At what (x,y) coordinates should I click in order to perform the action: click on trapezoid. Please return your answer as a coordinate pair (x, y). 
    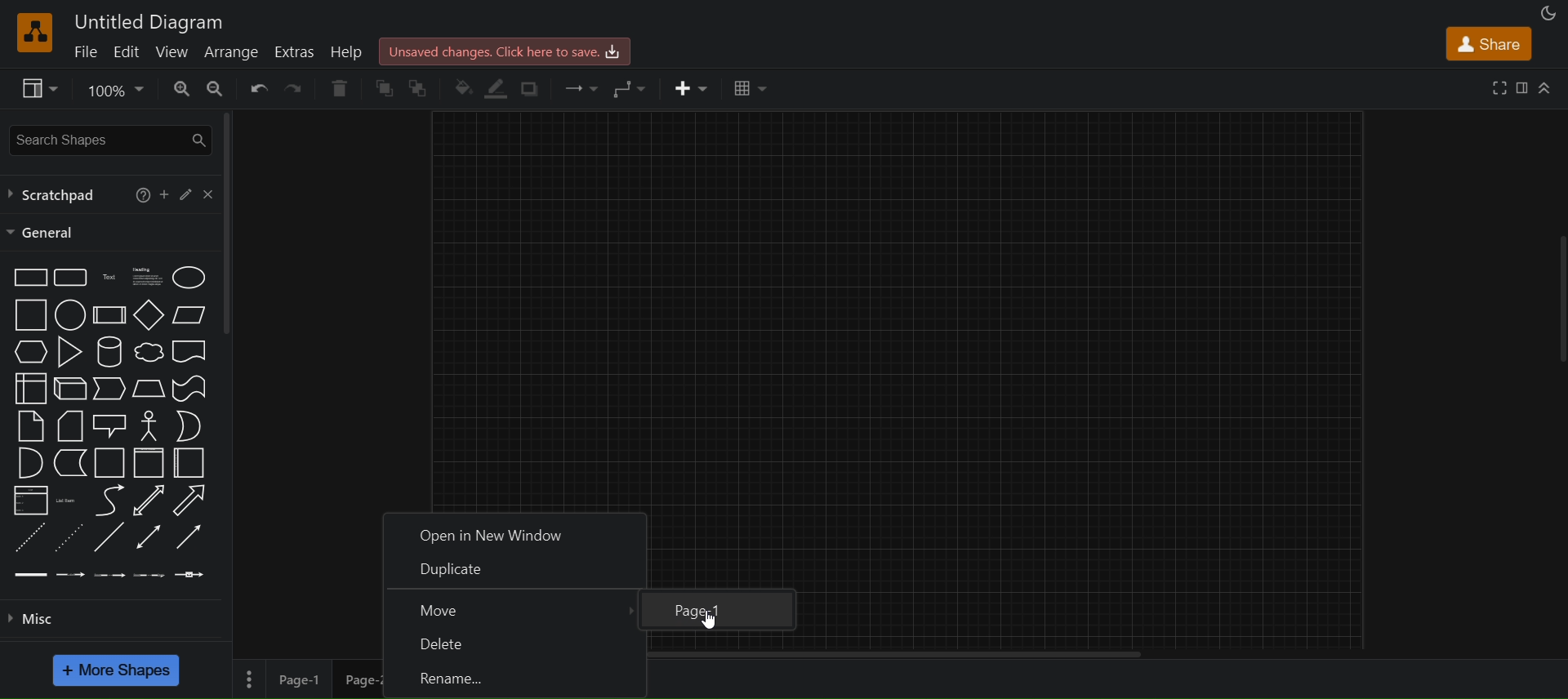
    Looking at the image, I should click on (147, 389).